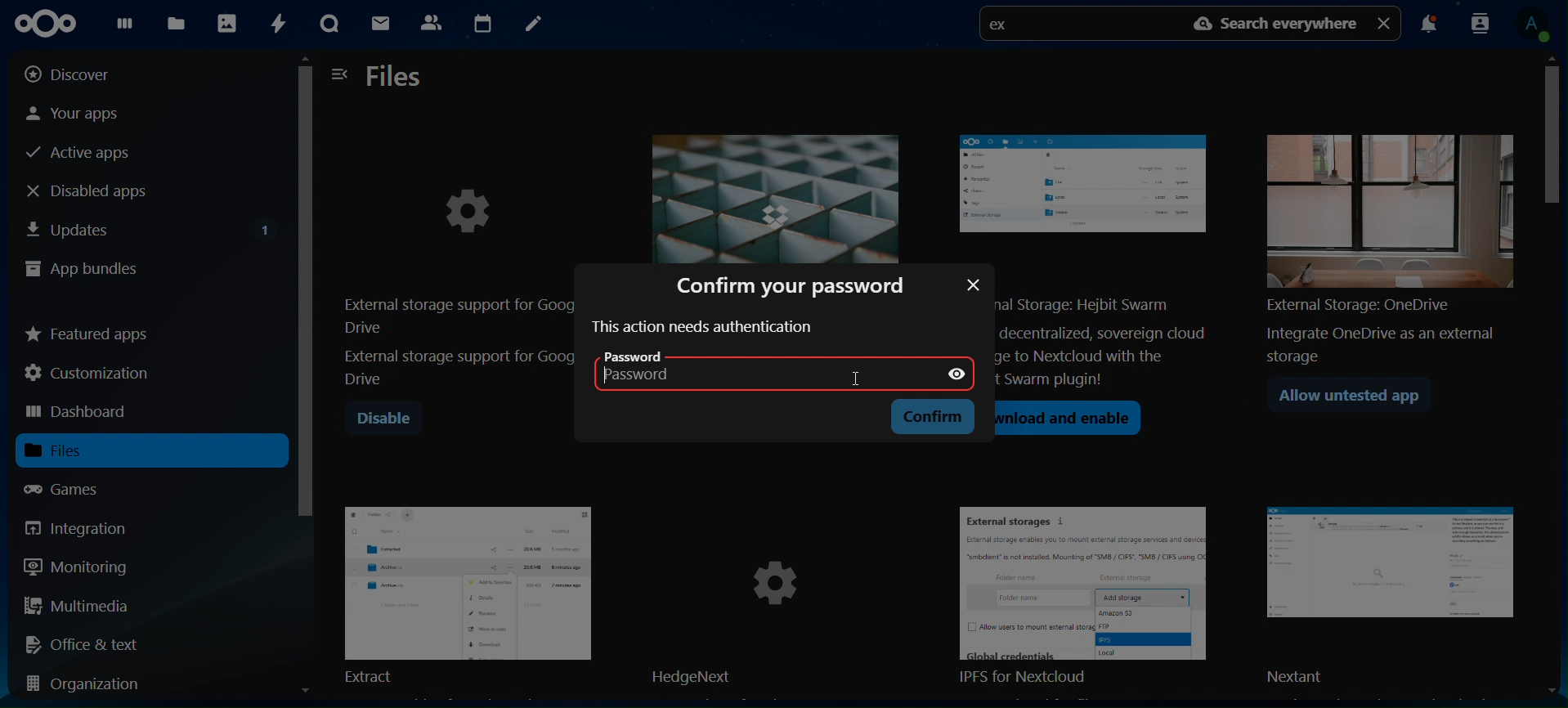  Describe the element at coordinates (531, 25) in the screenshot. I see `notes` at that location.